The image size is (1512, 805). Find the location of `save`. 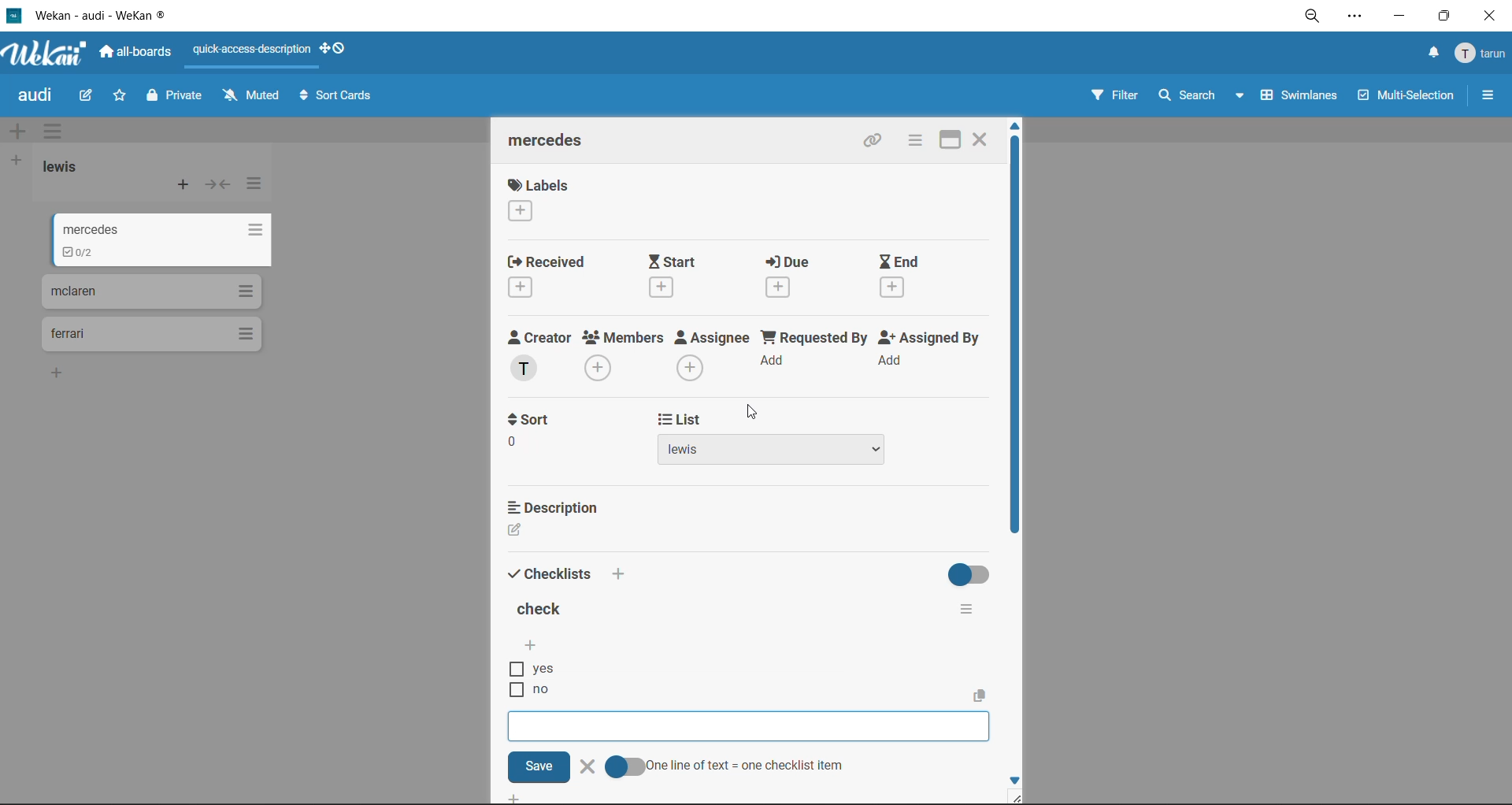

save is located at coordinates (539, 766).